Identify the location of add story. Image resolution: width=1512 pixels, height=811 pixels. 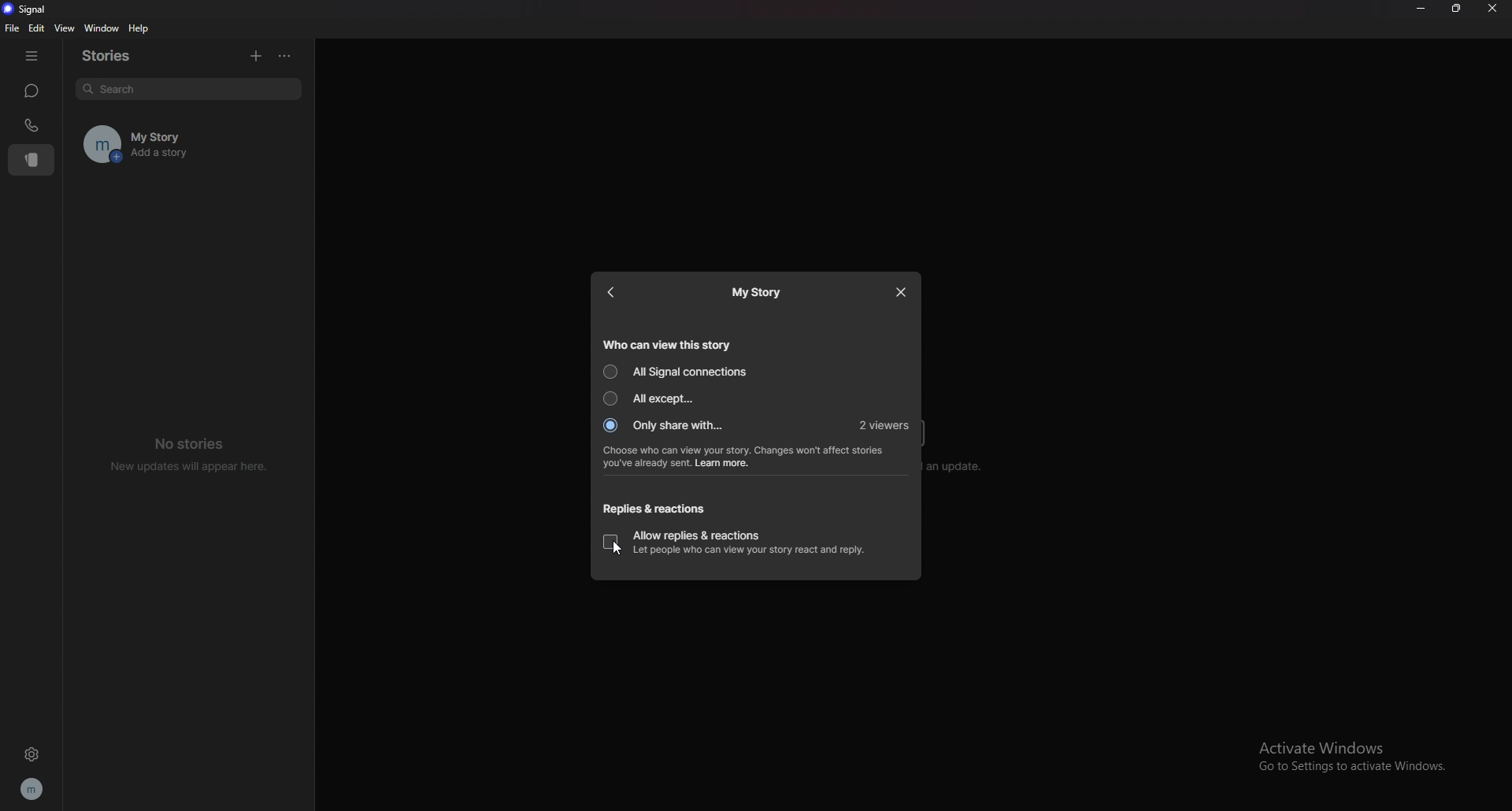
(256, 56).